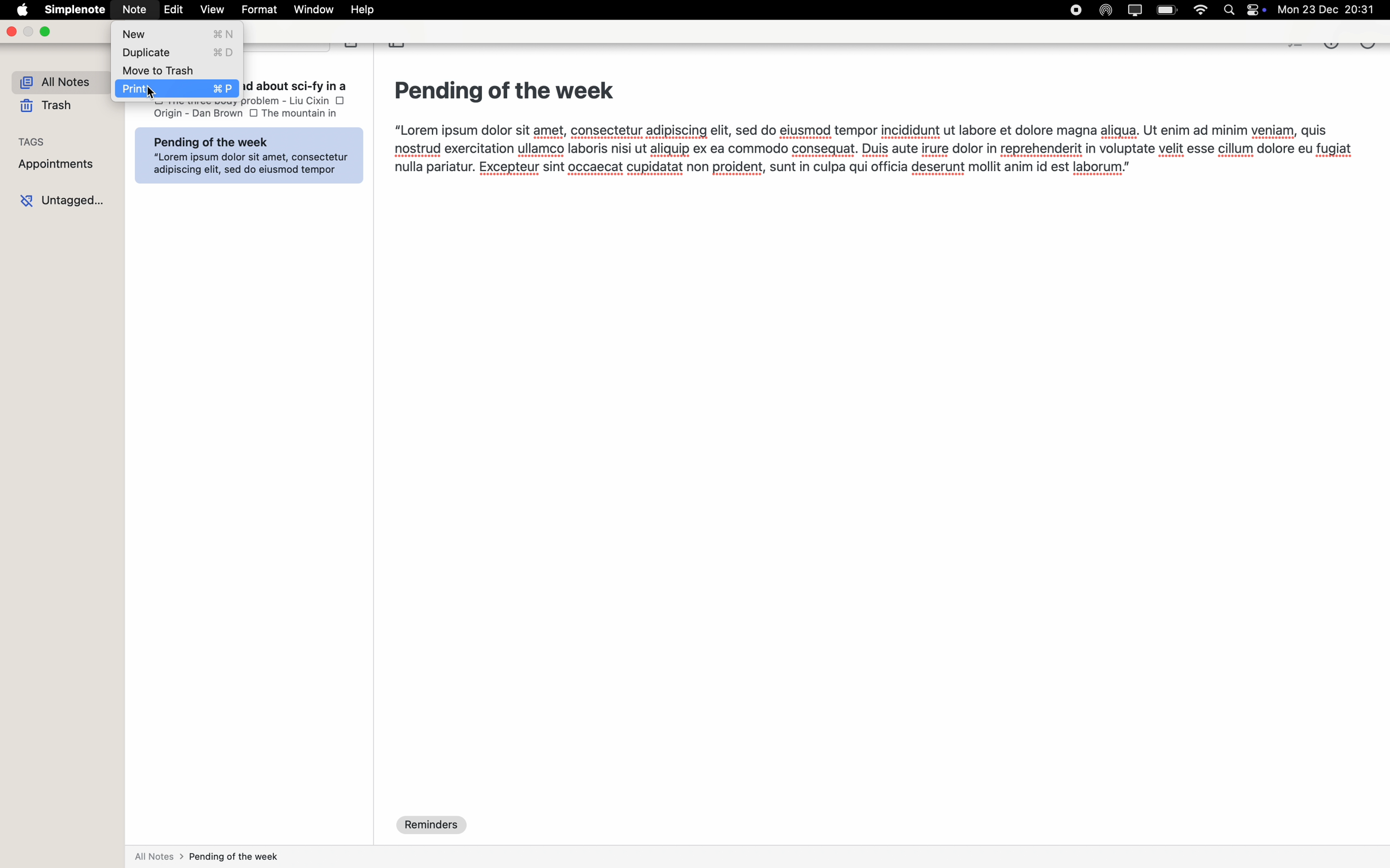  I want to click on all notes > pending of the week, so click(218, 855).